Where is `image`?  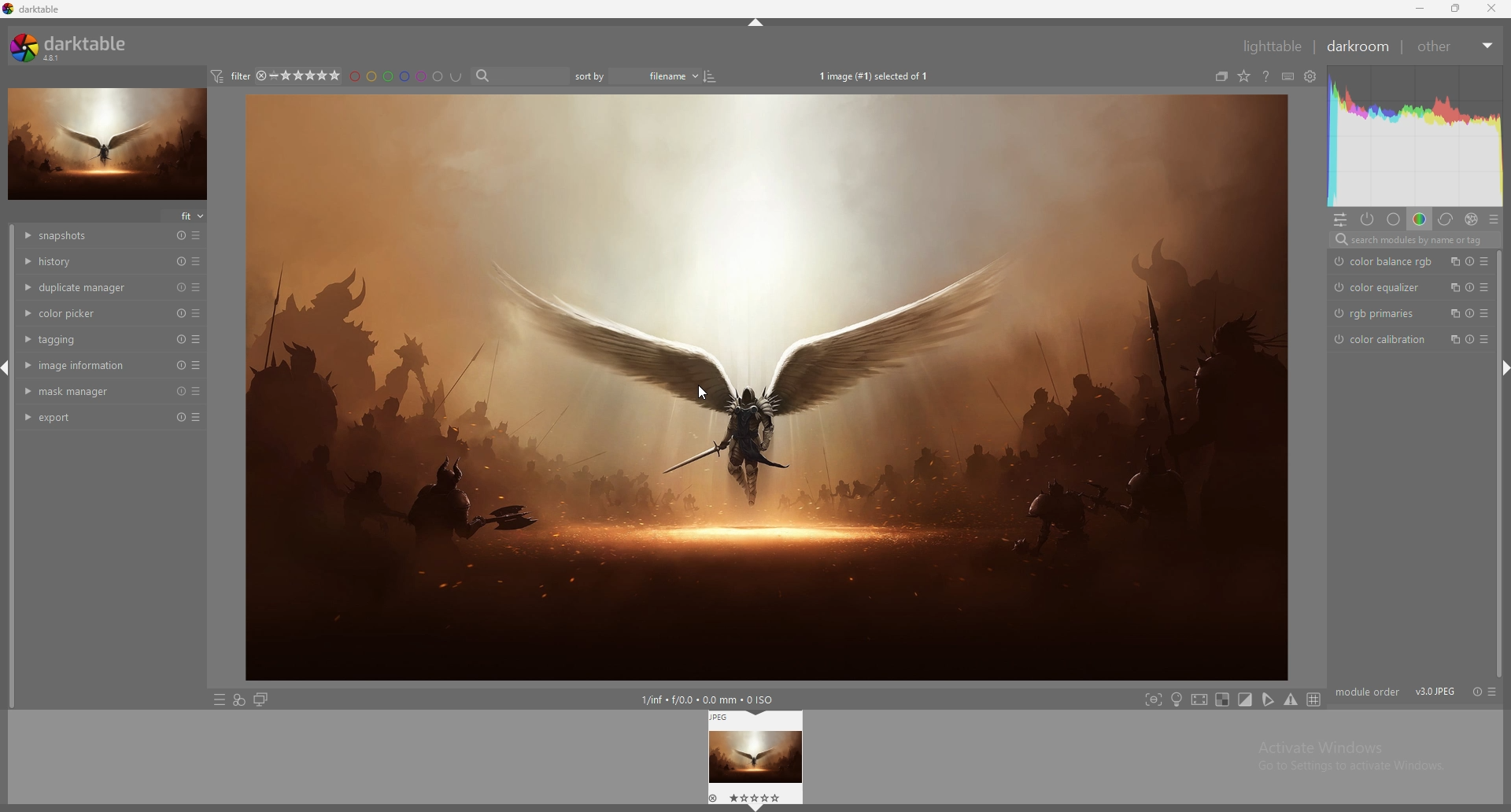 image is located at coordinates (109, 143).